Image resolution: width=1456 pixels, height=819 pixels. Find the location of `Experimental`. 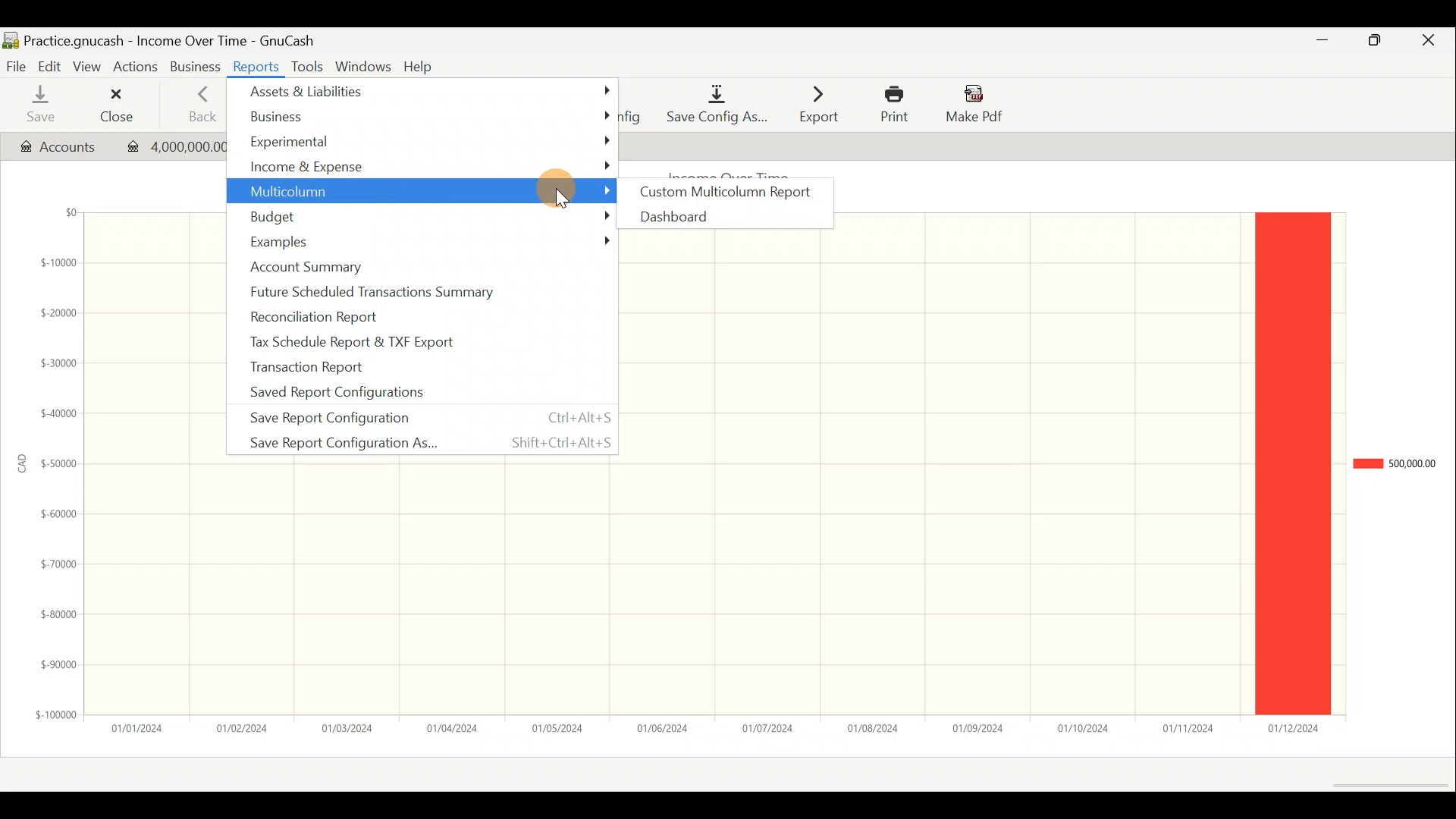

Experimental is located at coordinates (425, 140).